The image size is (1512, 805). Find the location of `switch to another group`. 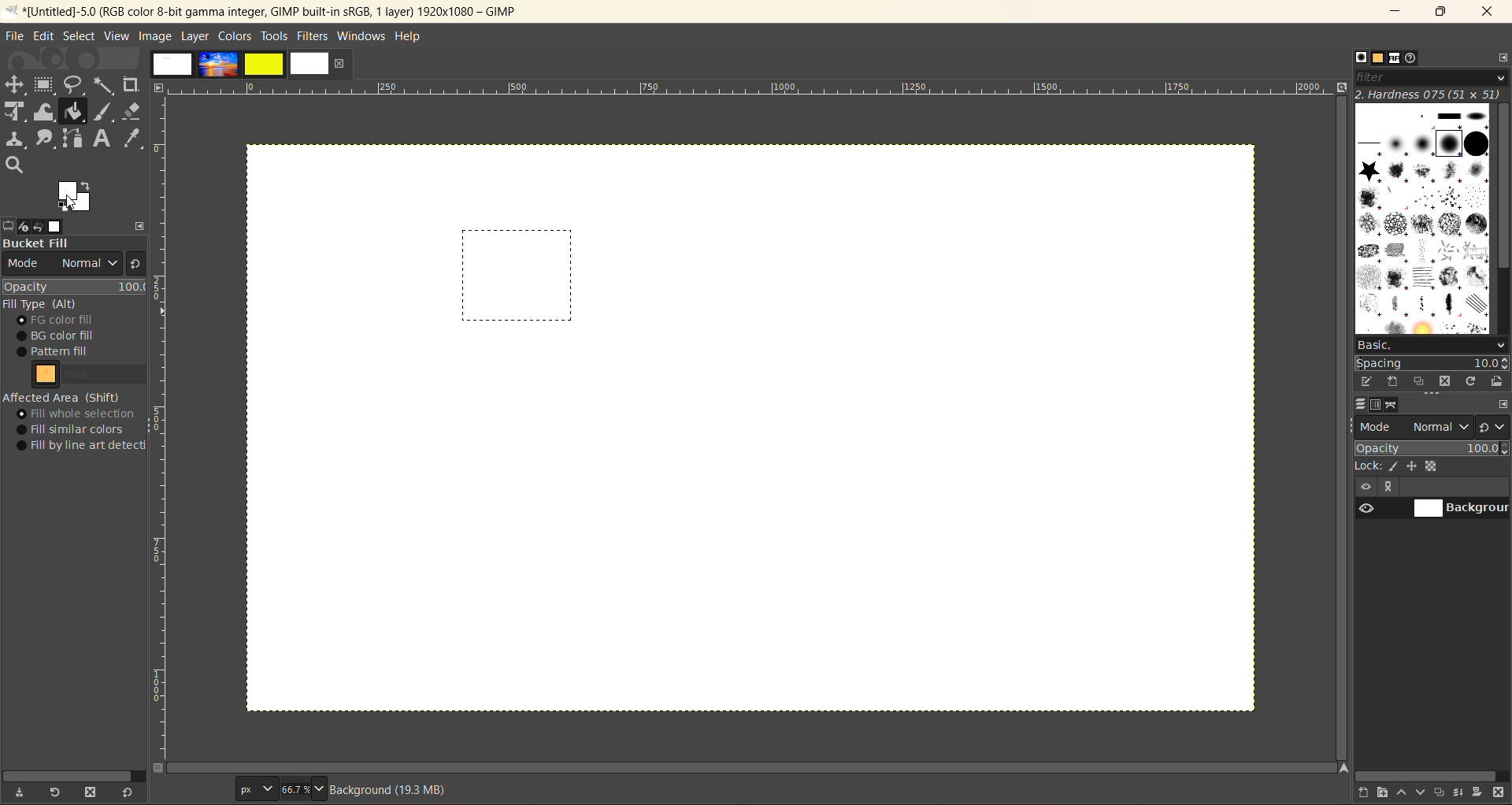

switch to another group is located at coordinates (1494, 426).